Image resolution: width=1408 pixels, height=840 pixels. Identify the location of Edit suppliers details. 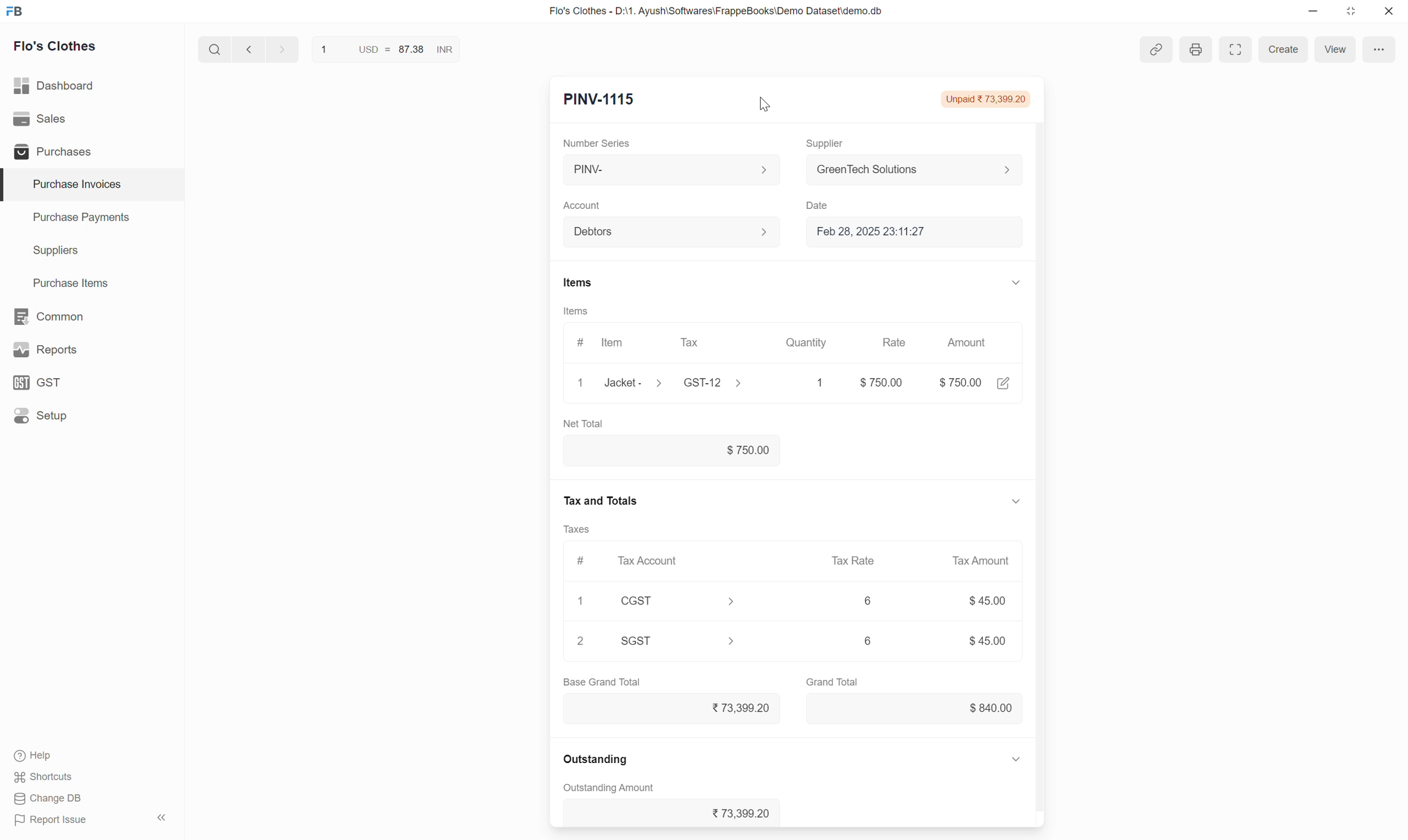
(1007, 170).